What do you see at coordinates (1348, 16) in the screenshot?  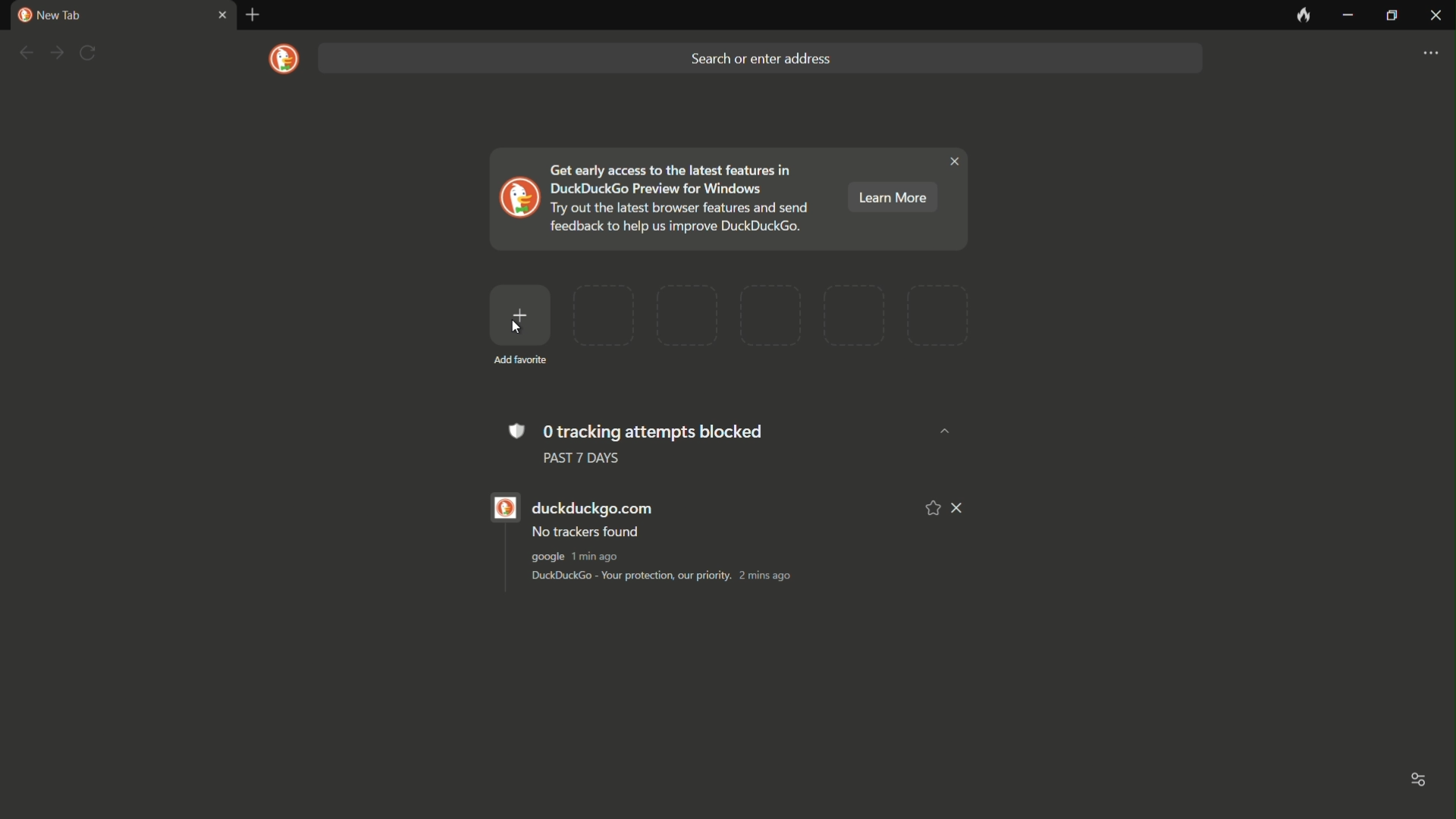 I see `minimize` at bounding box center [1348, 16].